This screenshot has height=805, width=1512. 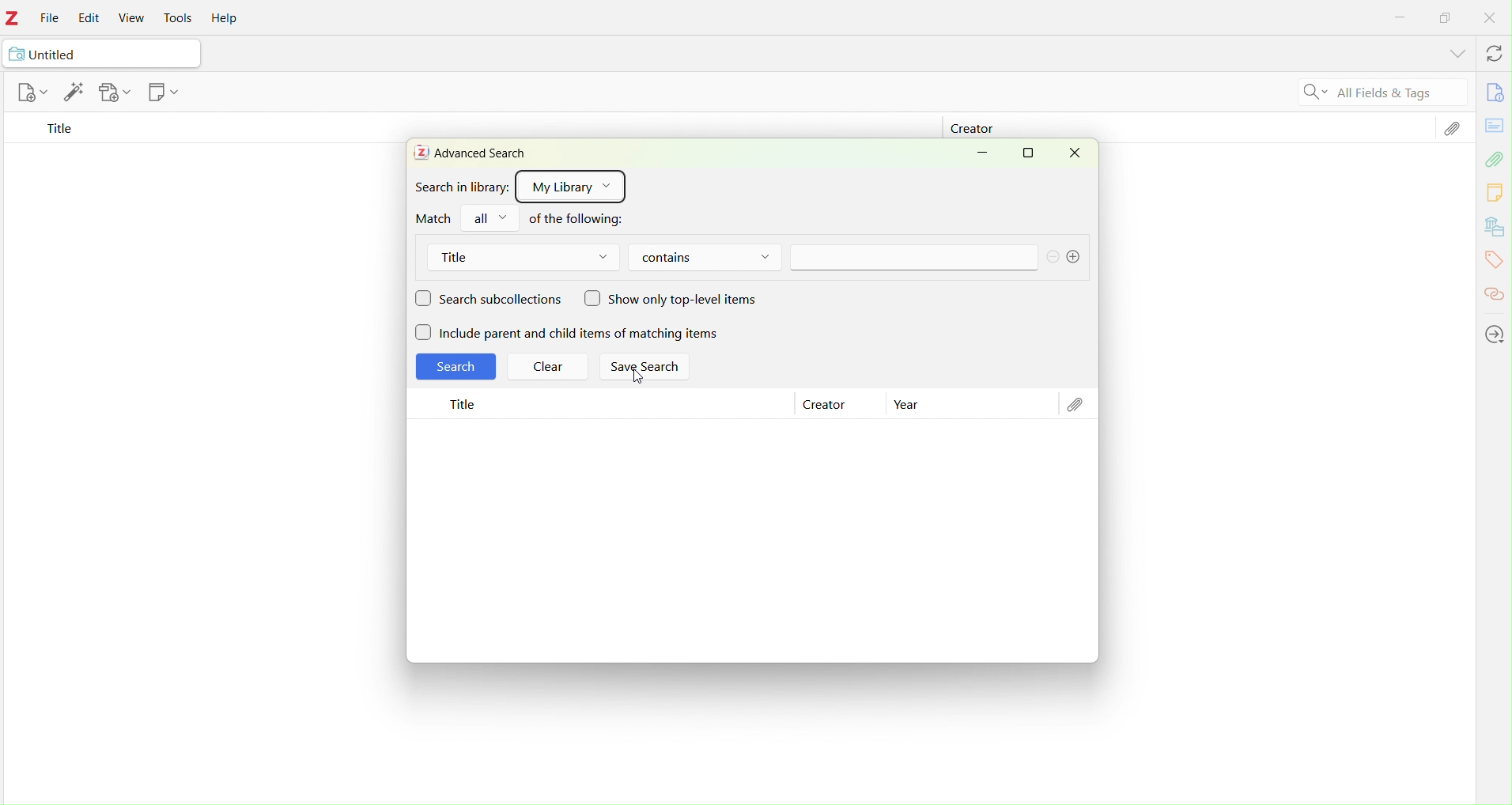 I want to click on Creator, so click(x=970, y=130).